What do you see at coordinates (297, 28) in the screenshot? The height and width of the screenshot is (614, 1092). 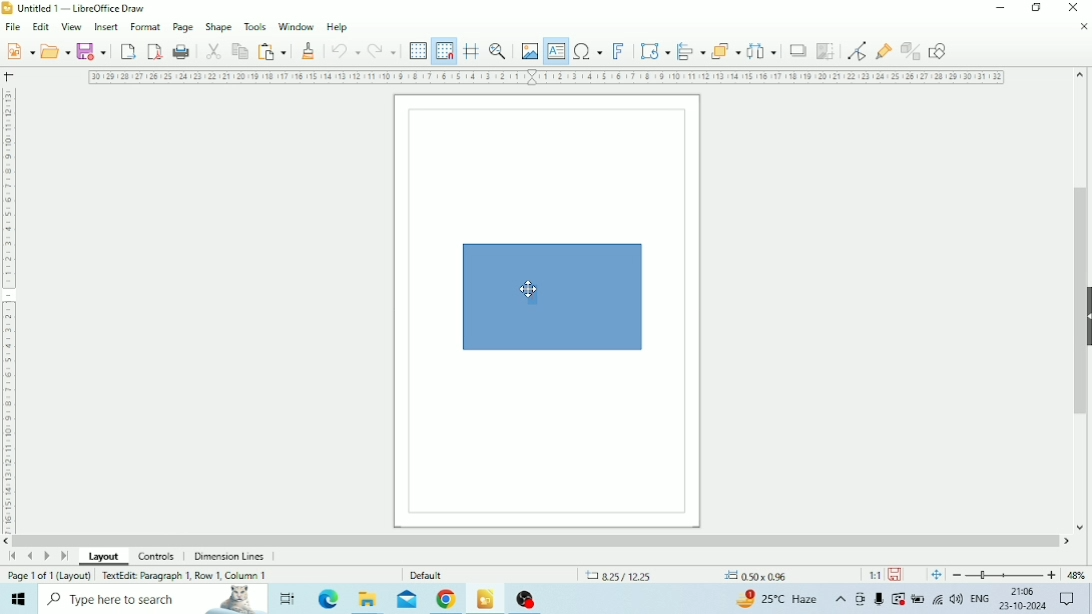 I see `Window` at bounding box center [297, 28].